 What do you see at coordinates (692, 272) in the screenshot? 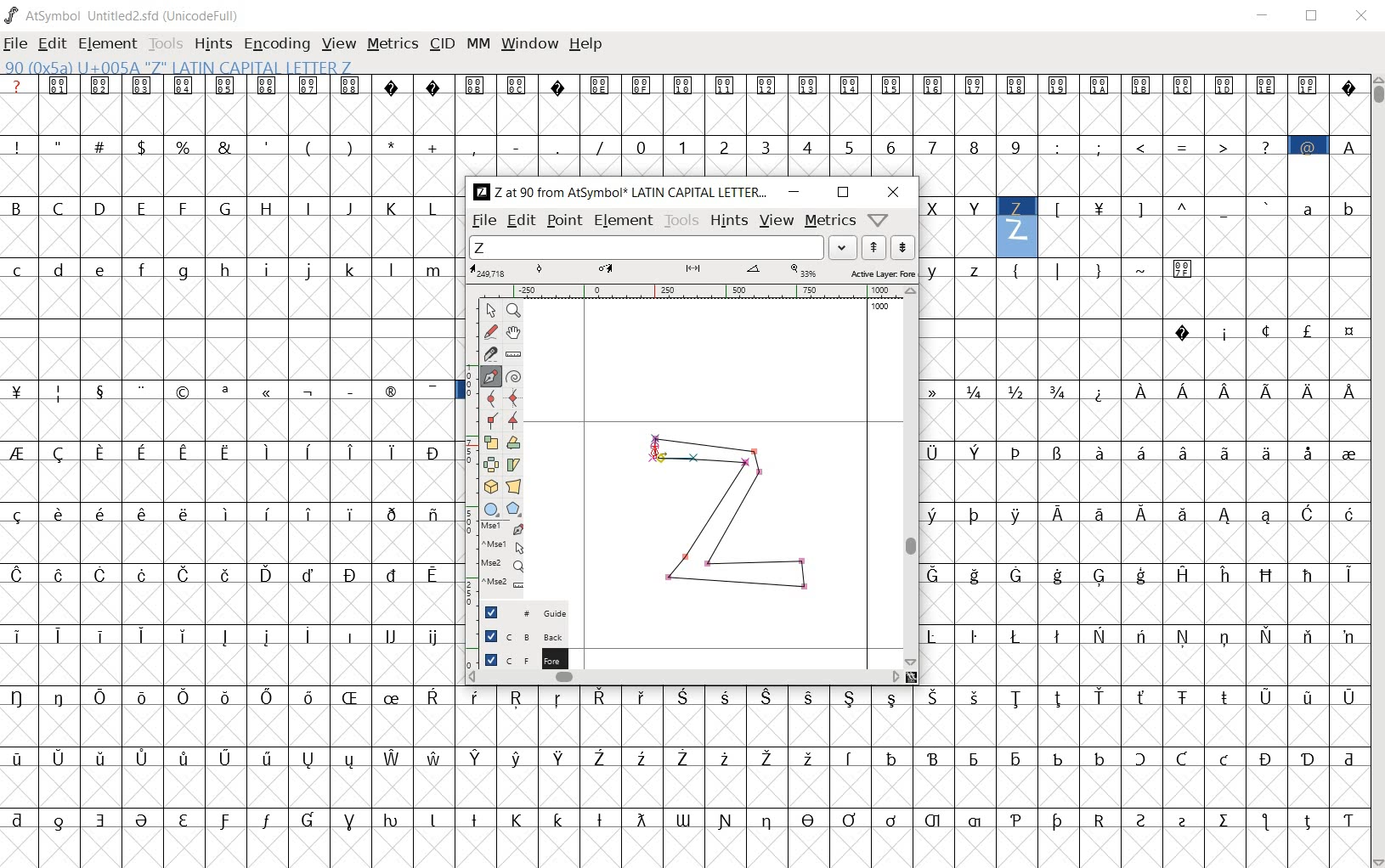
I see `Active Layer: Fore` at bounding box center [692, 272].